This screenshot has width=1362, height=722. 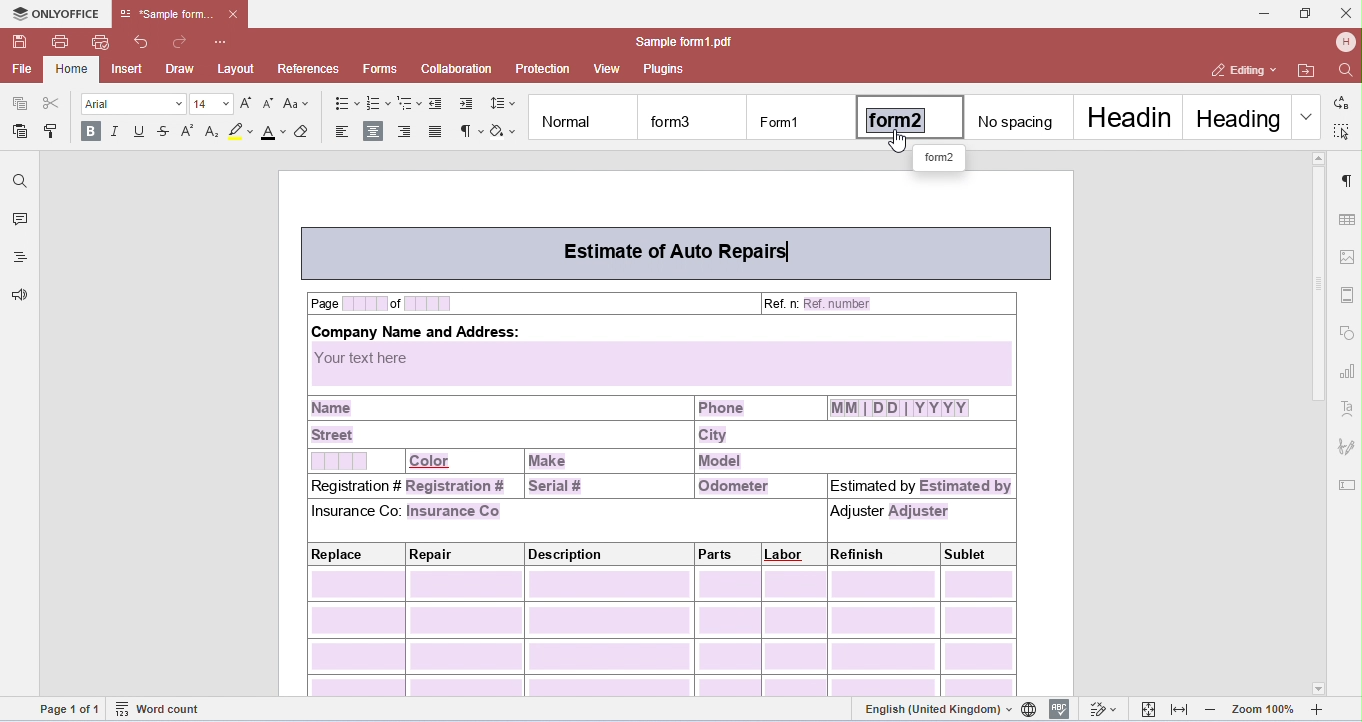 I want to click on protection, so click(x=542, y=69).